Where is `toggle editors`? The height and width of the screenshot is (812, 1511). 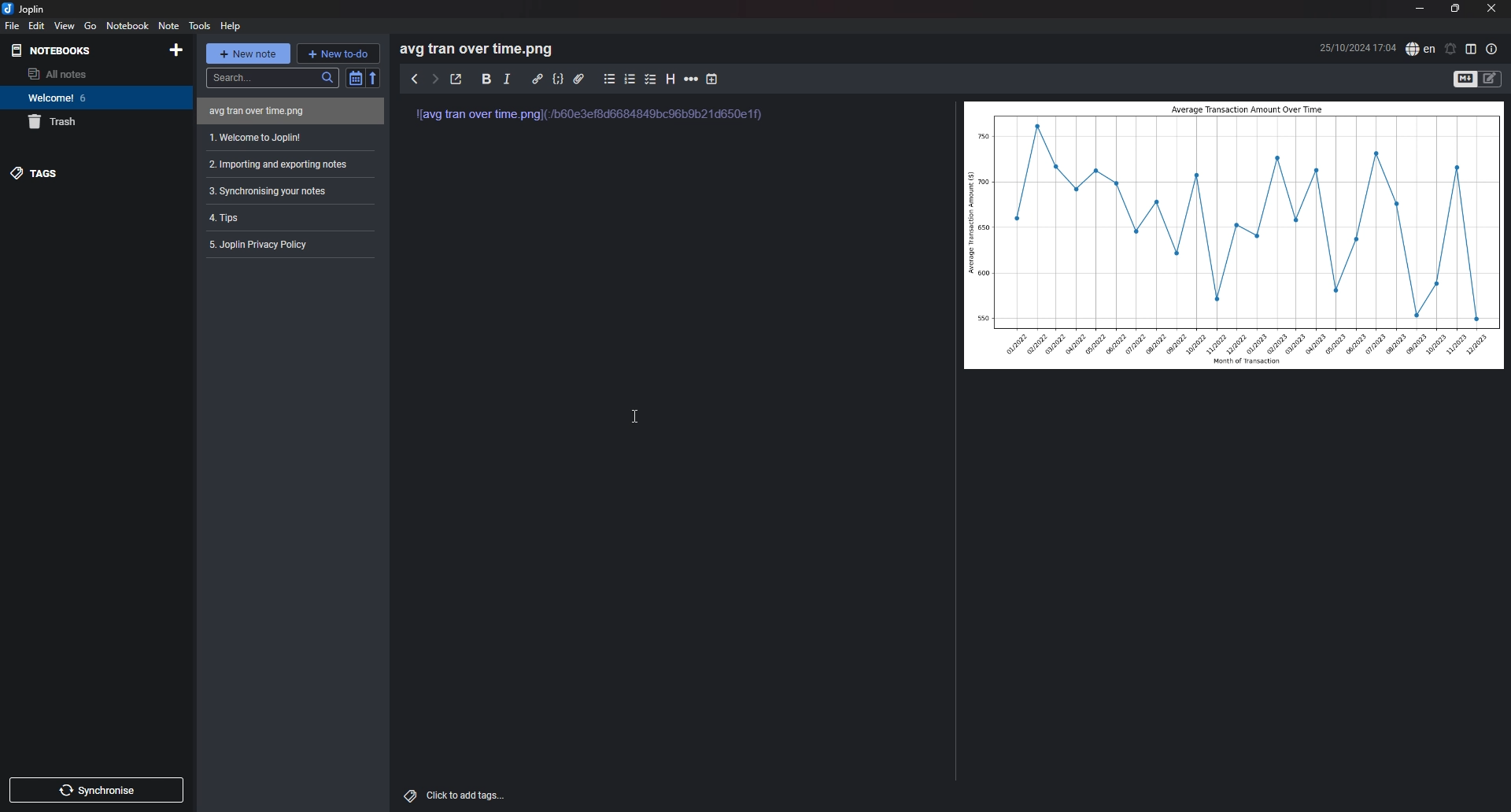
toggle editors is located at coordinates (1491, 79).